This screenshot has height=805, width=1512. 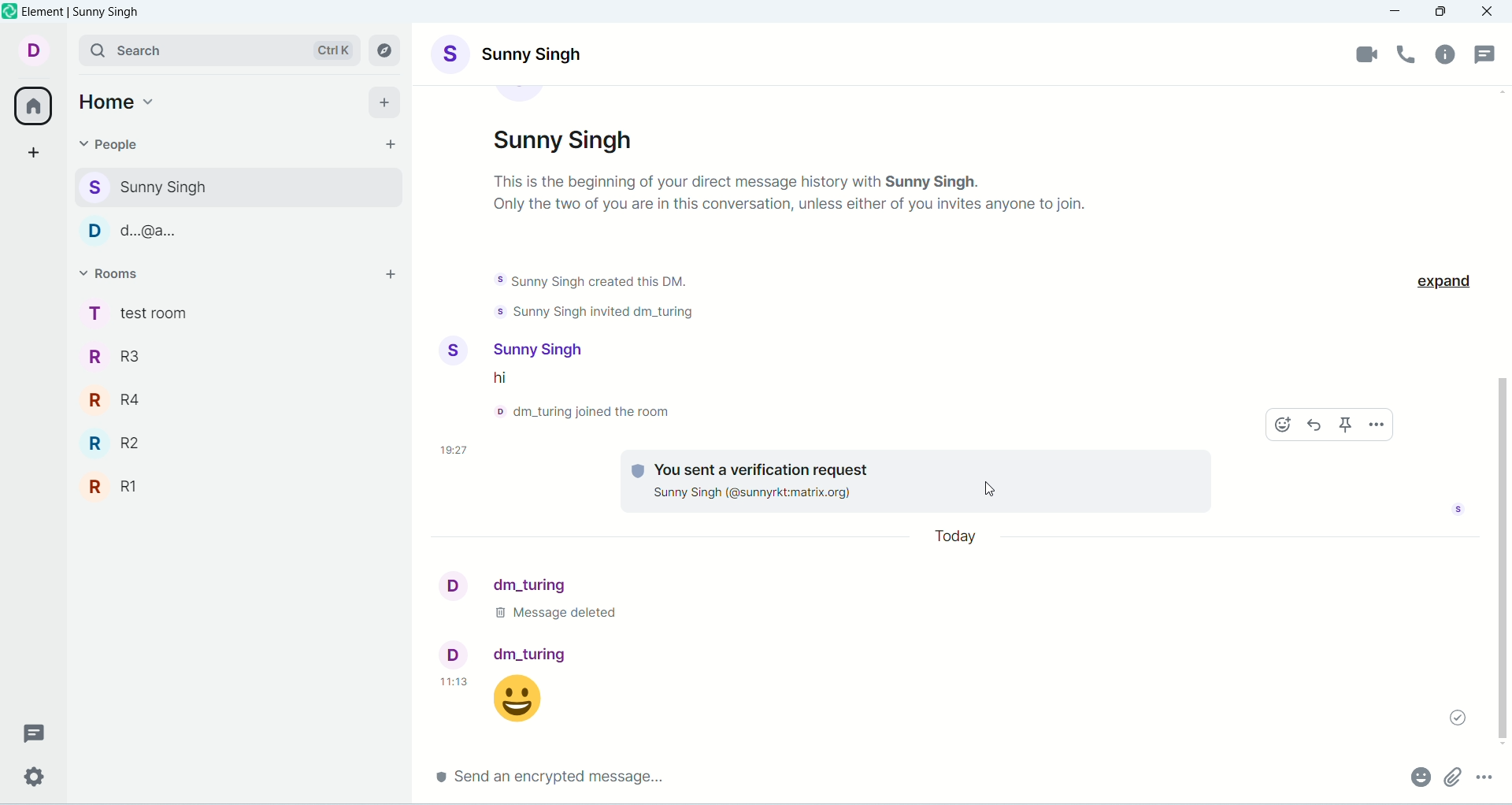 I want to click on d...@..., so click(x=233, y=228).